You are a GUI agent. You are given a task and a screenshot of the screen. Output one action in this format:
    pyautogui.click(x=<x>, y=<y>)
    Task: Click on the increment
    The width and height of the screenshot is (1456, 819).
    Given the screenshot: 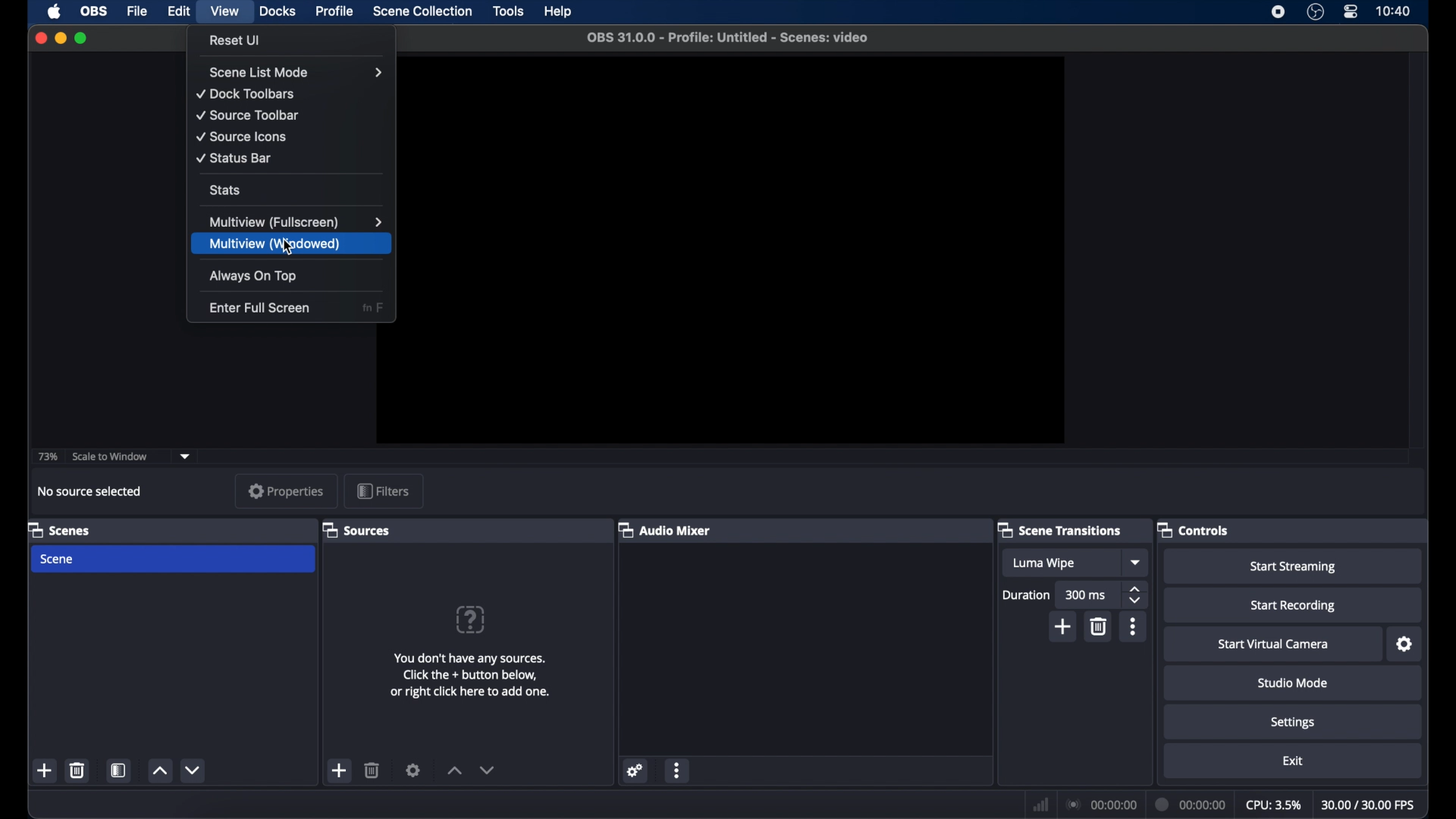 What is the action you would take?
    pyautogui.click(x=159, y=770)
    